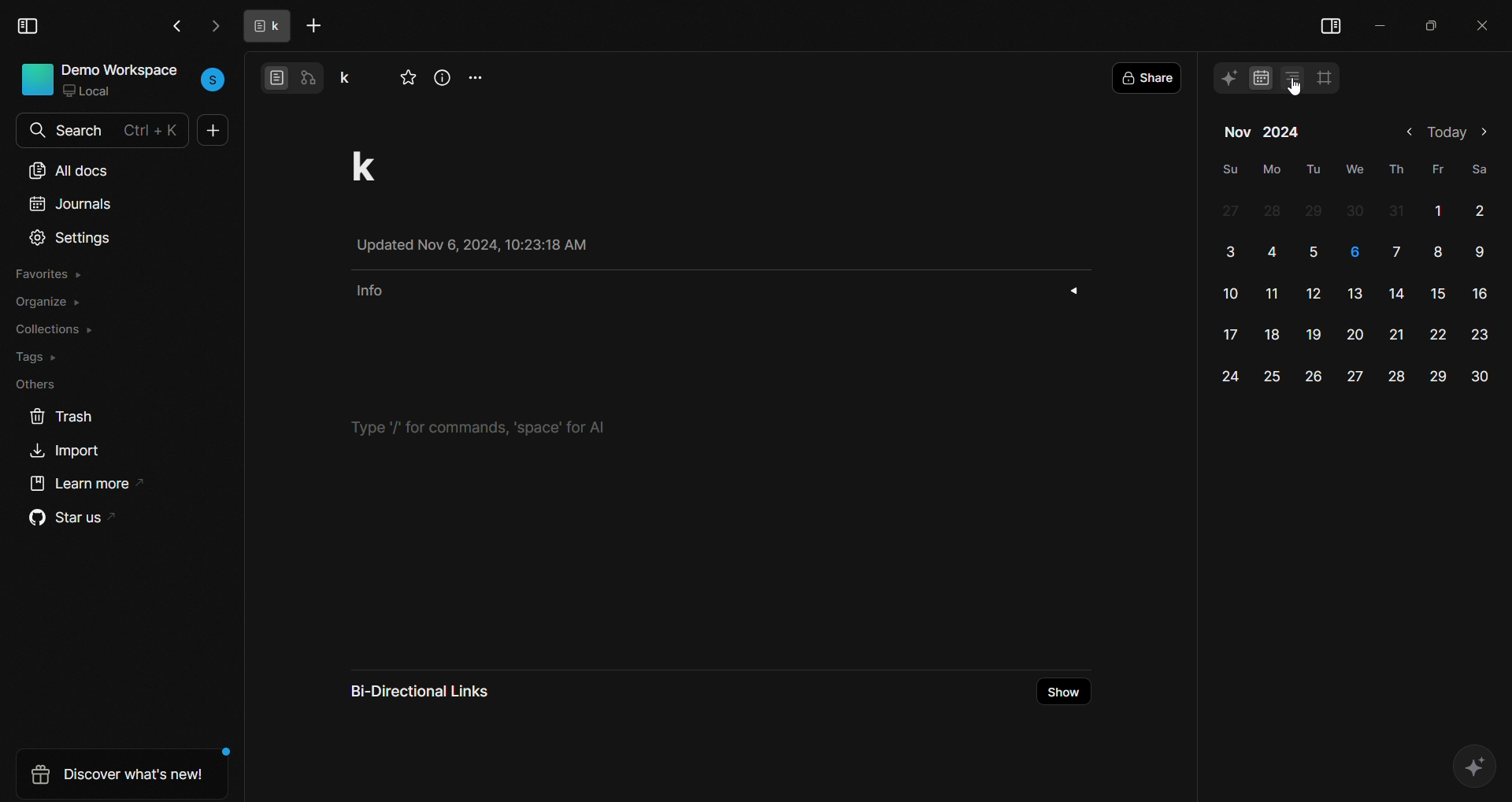 This screenshot has width=1512, height=802. I want to click on star us, so click(66, 520).